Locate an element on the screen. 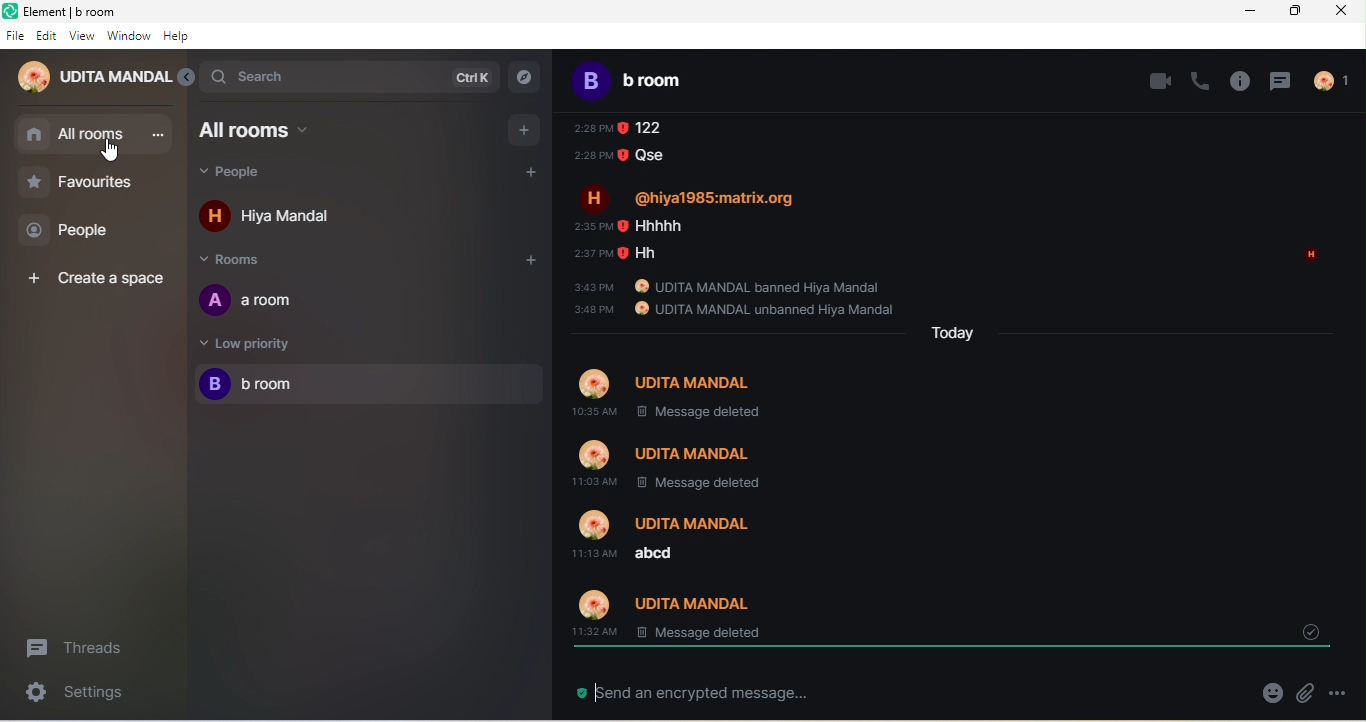 This screenshot has height=722, width=1366. low priority is located at coordinates (251, 342).